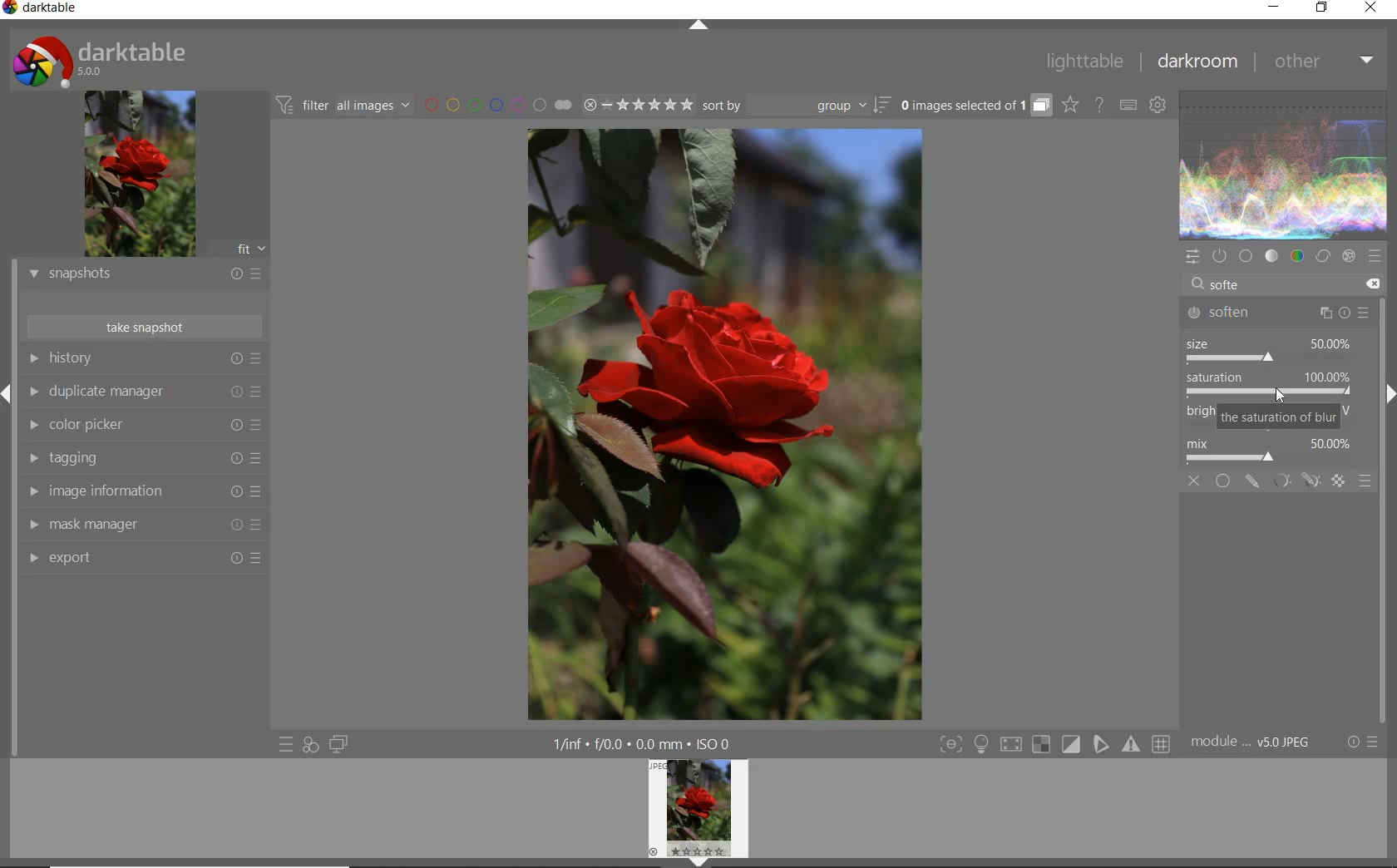  Describe the element at coordinates (648, 743) in the screenshot. I see `1/inf*f/0.0 mm*ISO 0` at that location.